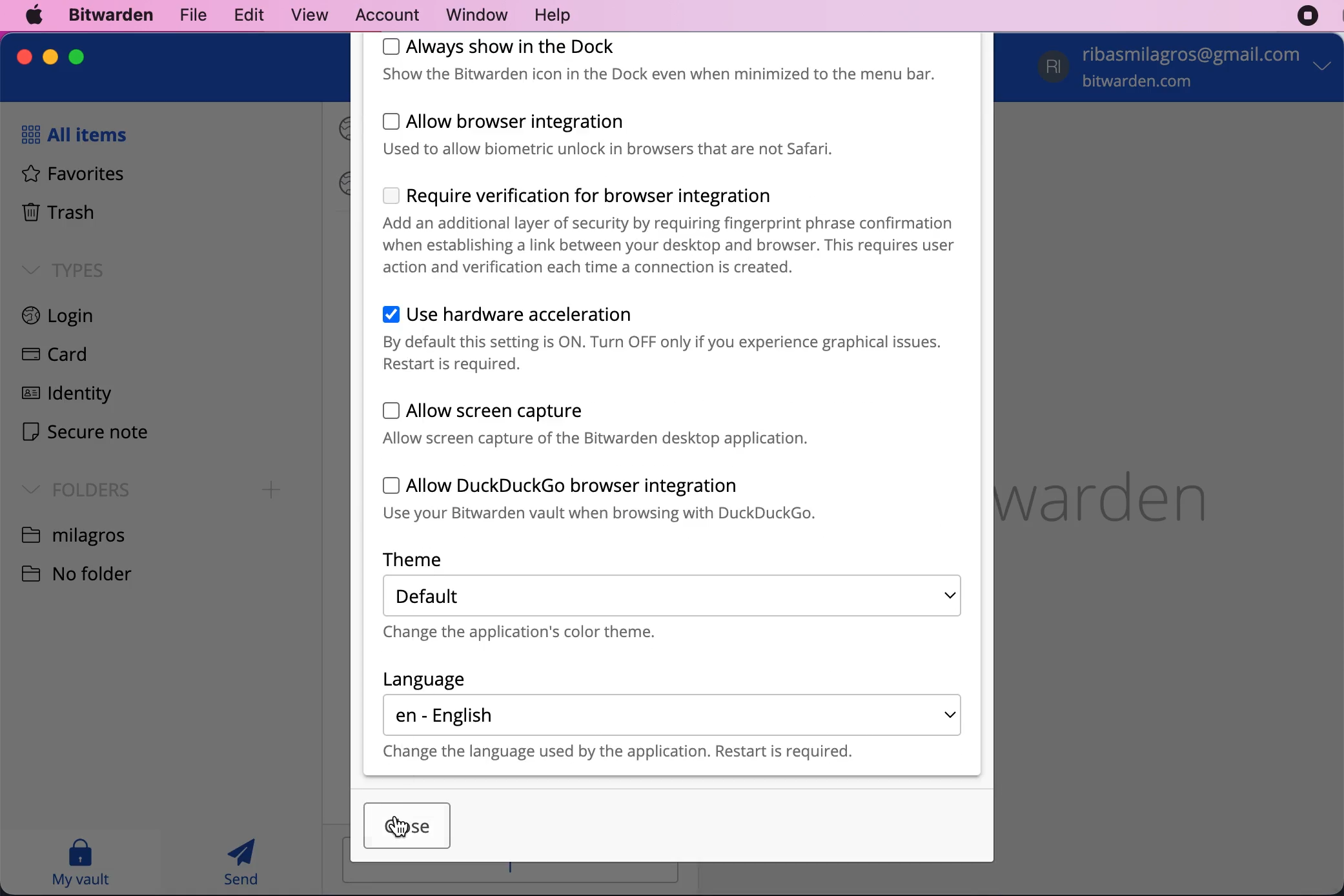 Image resolution: width=1344 pixels, height=896 pixels. I want to click on always show in the dock, so click(658, 63).